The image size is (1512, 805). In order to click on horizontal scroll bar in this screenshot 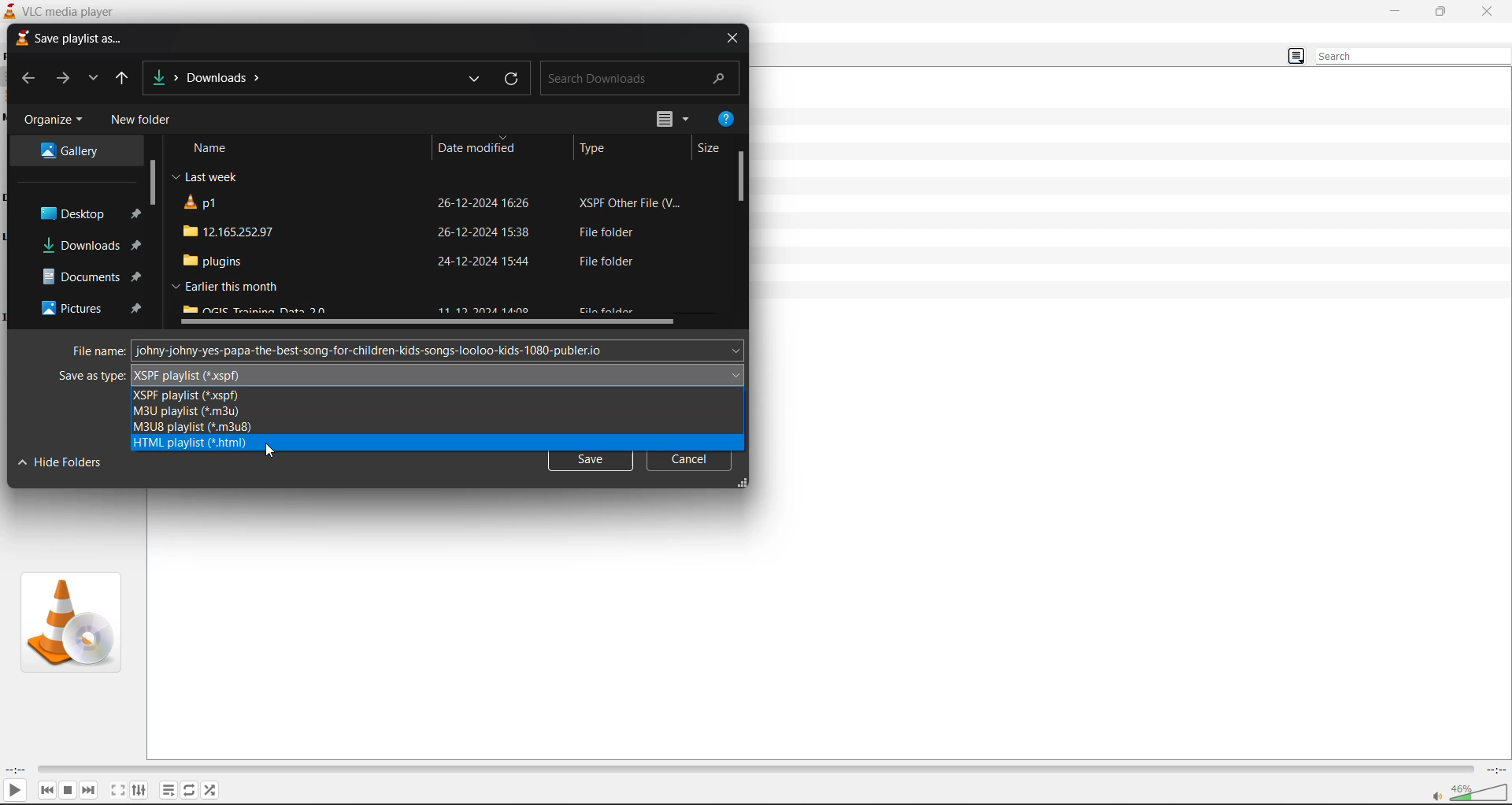, I will do `click(431, 323)`.